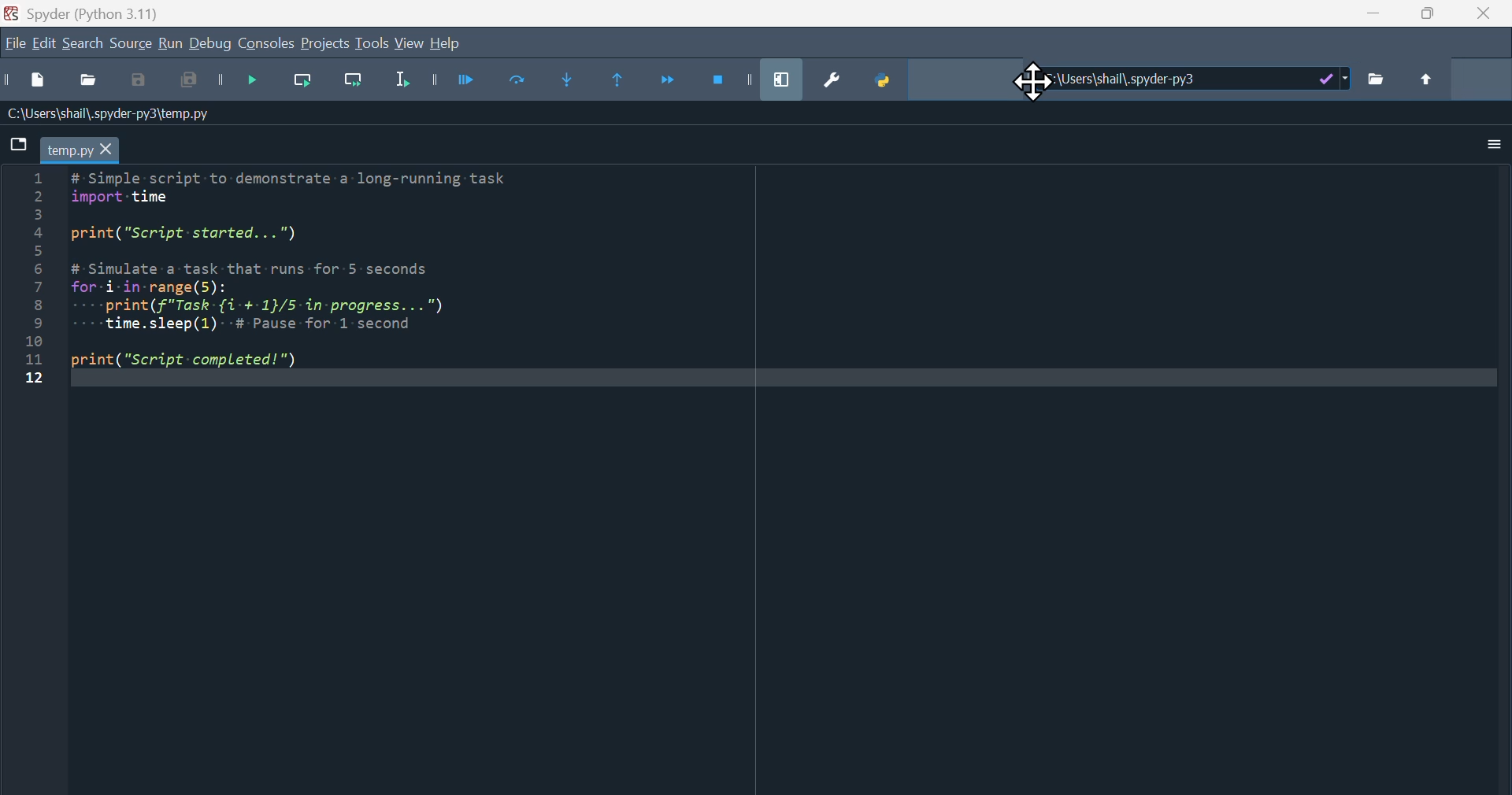 Image resolution: width=1512 pixels, height=795 pixels. What do you see at coordinates (213, 48) in the screenshot?
I see `Debug` at bounding box center [213, 48].